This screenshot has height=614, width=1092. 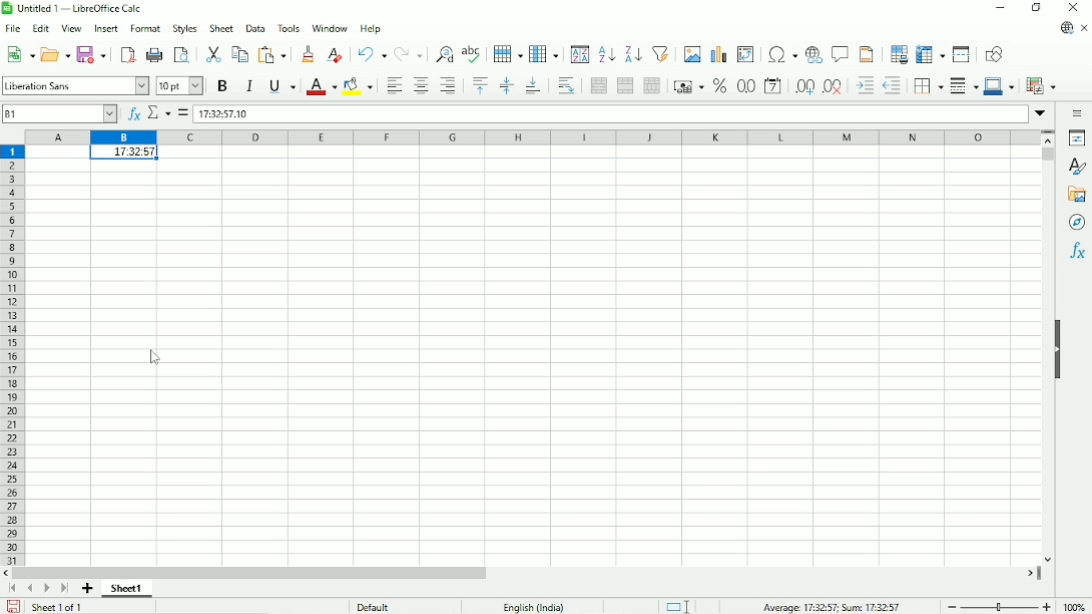 I want to click on New, so click(x=20, y=55).